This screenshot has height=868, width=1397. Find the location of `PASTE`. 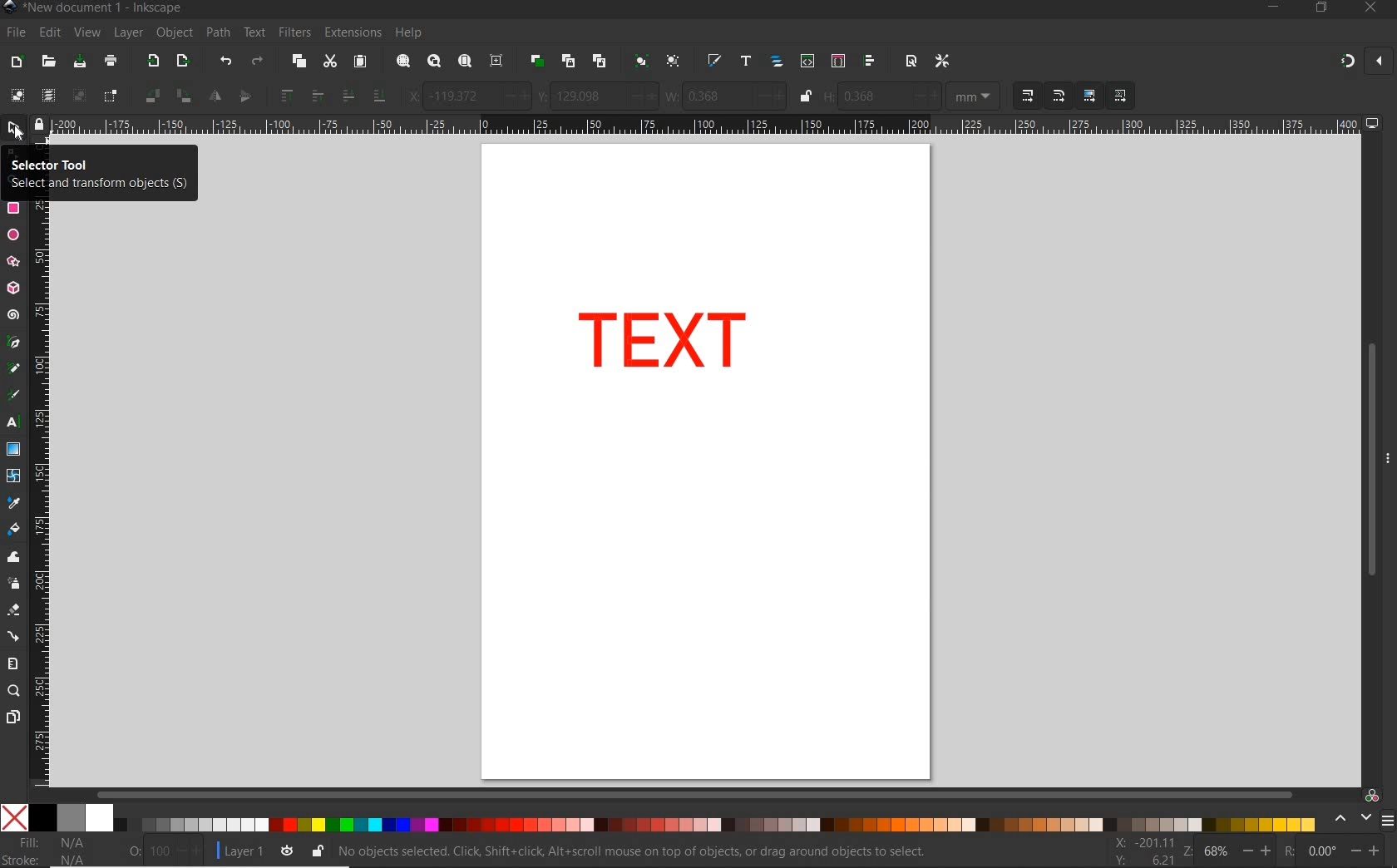

PASTE is located at coordinates (361, 62).